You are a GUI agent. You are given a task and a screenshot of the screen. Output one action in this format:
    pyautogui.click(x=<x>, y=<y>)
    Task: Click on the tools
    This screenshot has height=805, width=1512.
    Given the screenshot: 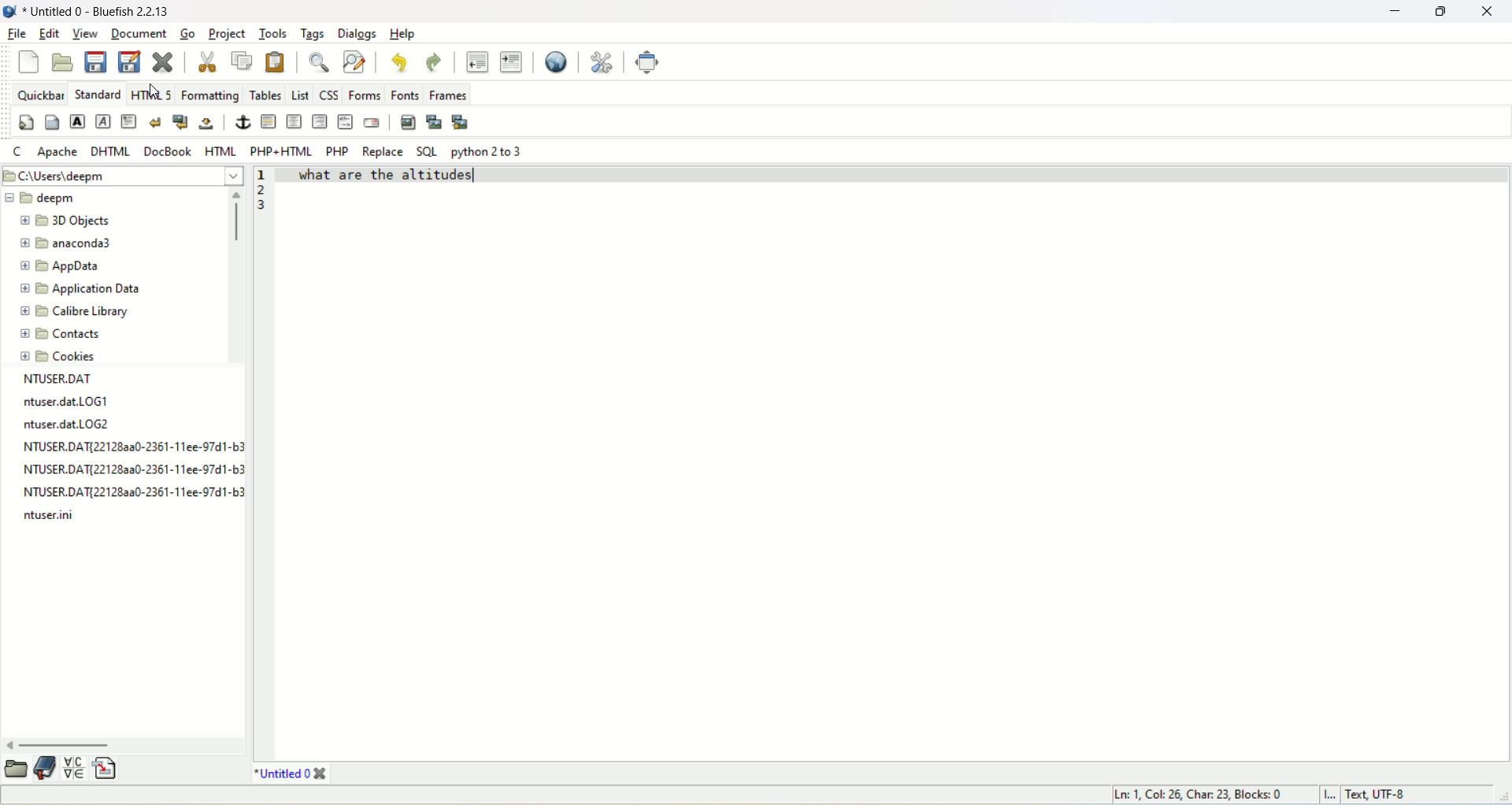 What is the action you would take?
    pyautogui.click(x=274, y=34)
    